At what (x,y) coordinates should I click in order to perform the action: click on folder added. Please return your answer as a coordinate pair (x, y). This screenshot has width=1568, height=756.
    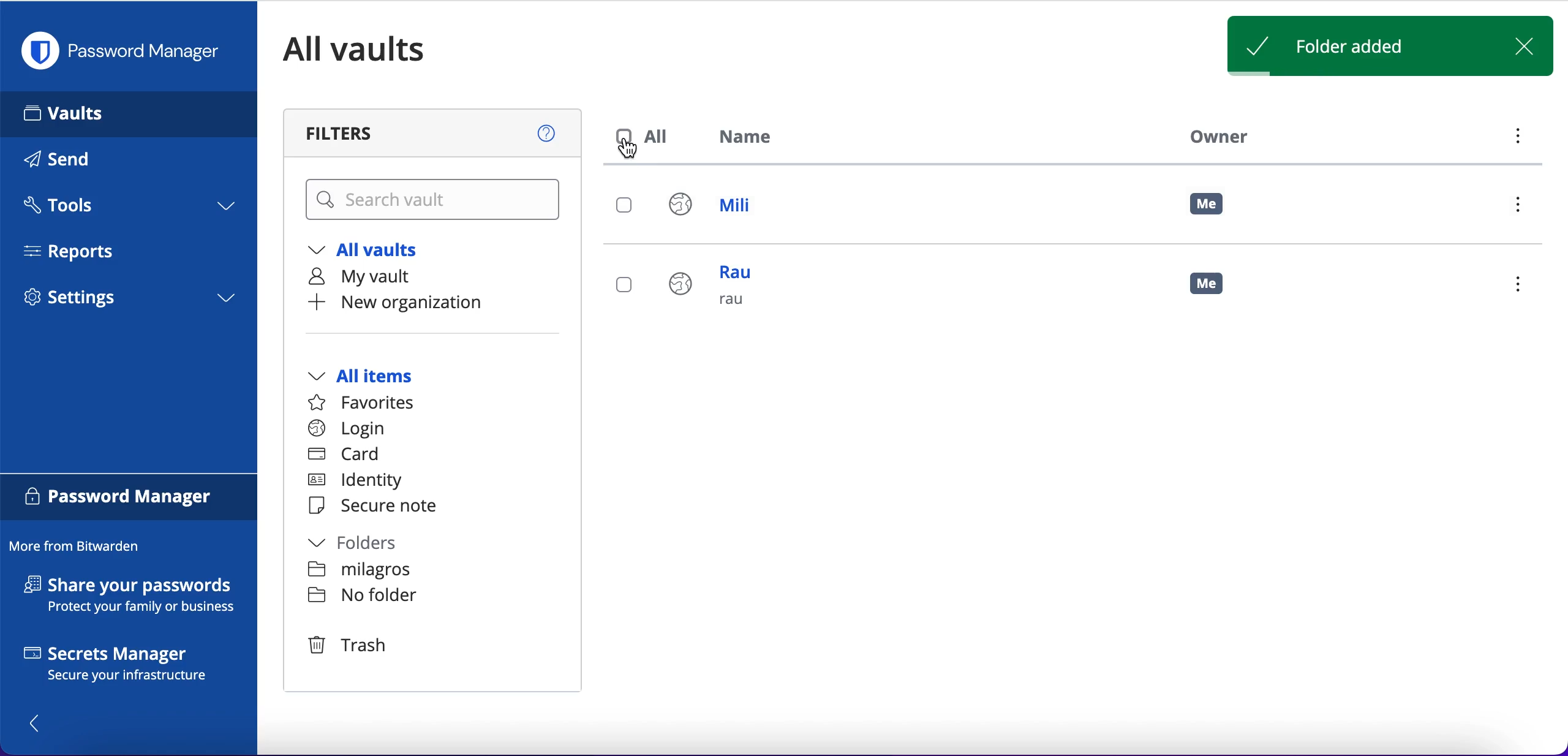
    Looking at the image, I should click on (1346, 48).